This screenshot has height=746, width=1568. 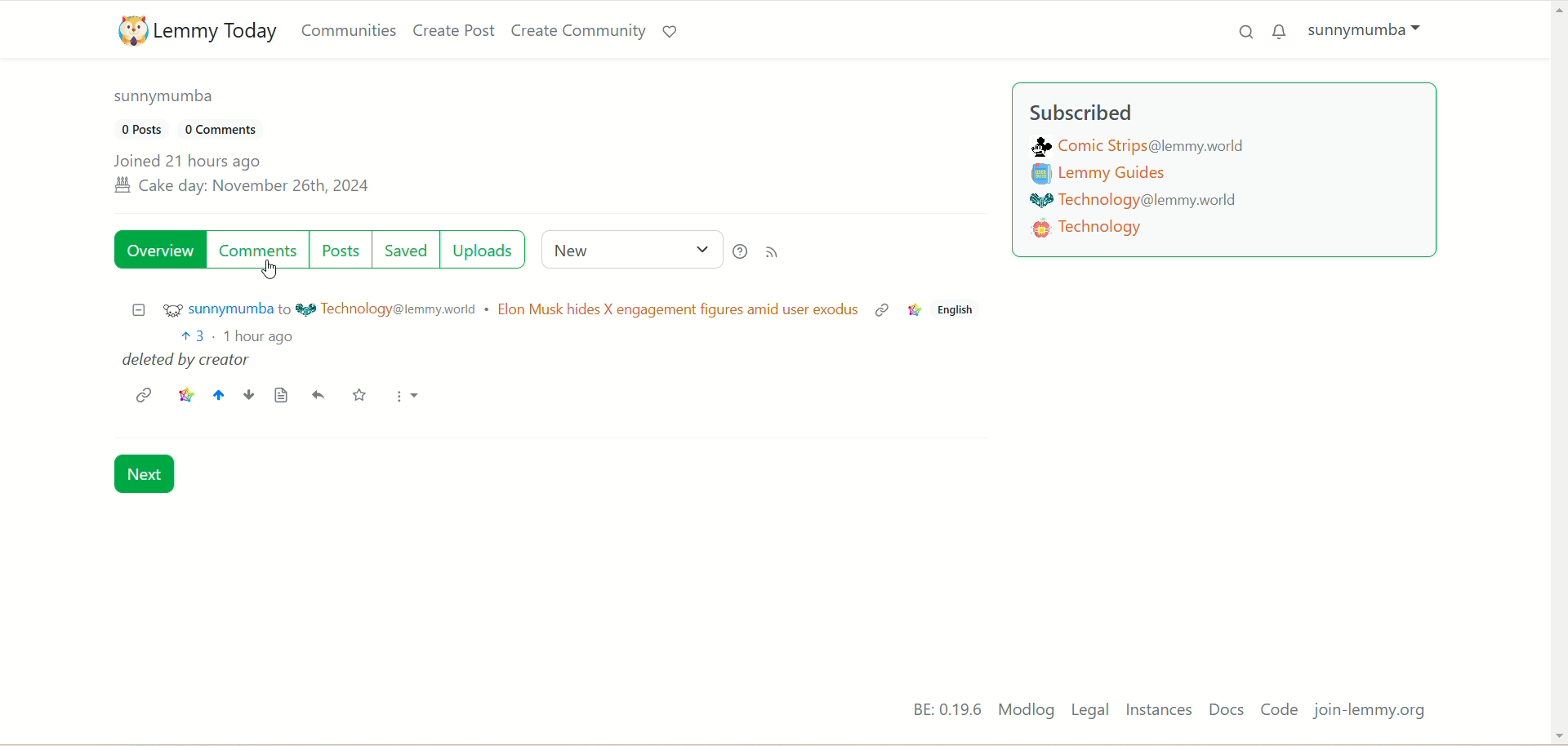 I want to click on next, so click(x=149, y=475).